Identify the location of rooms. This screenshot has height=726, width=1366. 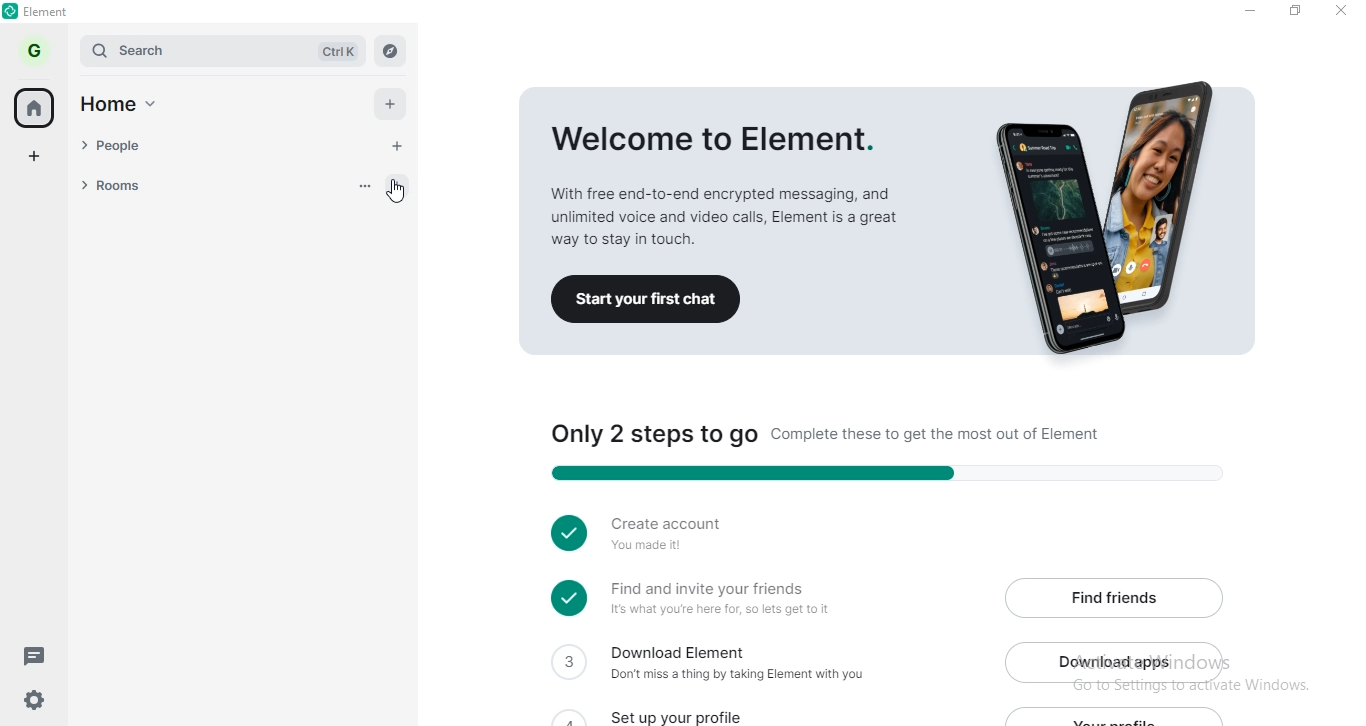
(225, 185).